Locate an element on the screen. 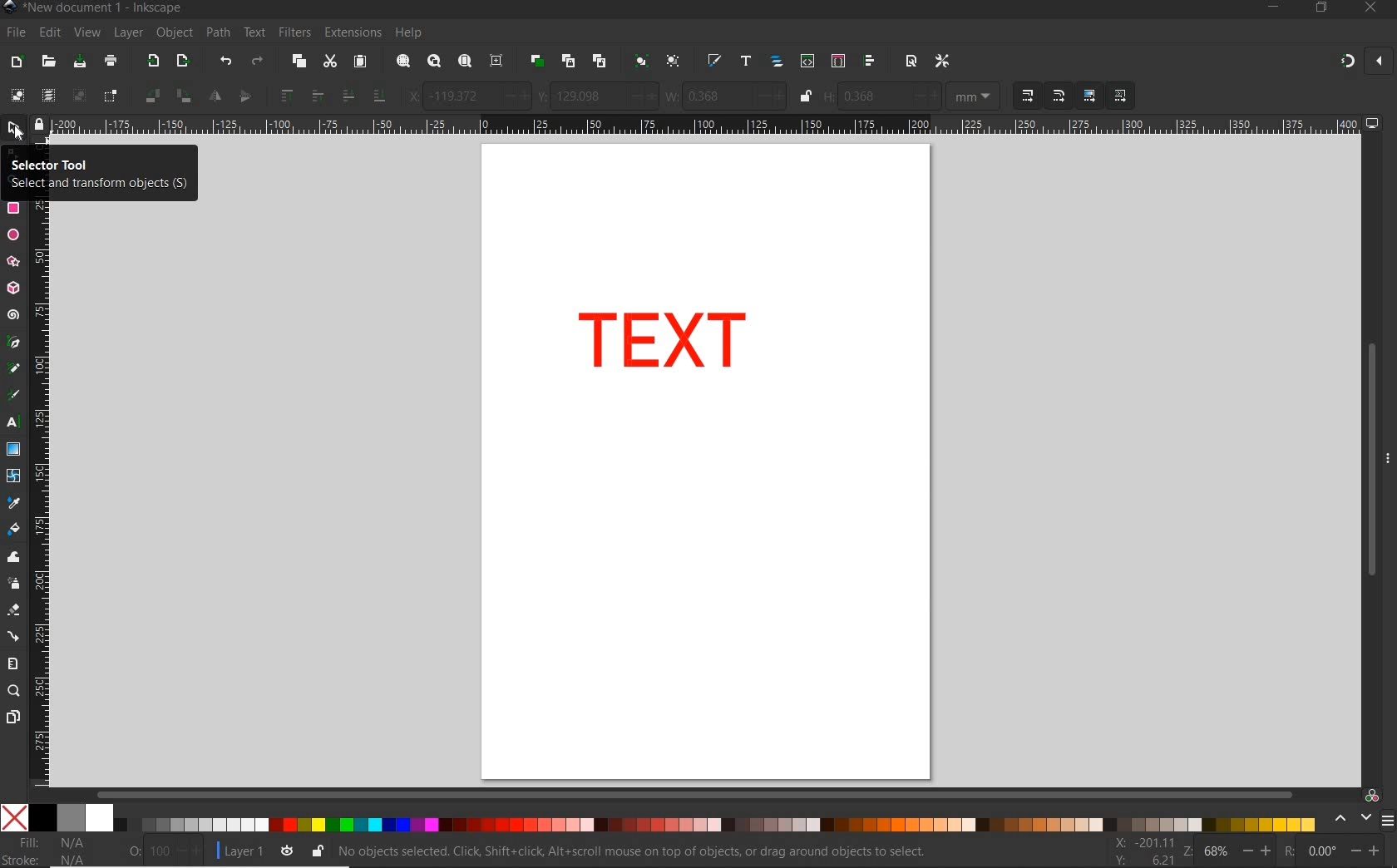 This screenshot has height=868, width=1397. COLOR MANAGED MODE is located at coordinates (1361, 809).